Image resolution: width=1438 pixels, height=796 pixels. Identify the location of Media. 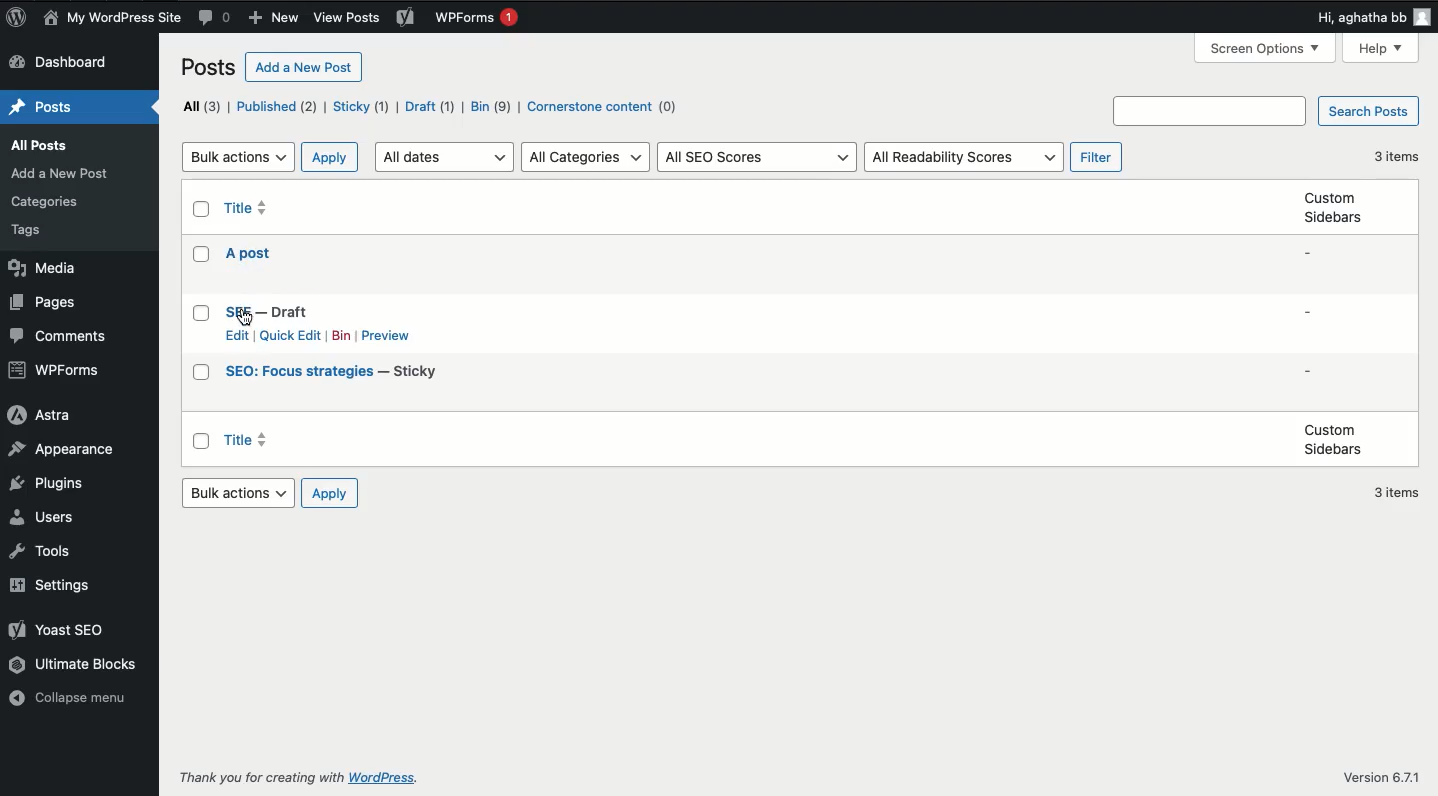
(42, 270).